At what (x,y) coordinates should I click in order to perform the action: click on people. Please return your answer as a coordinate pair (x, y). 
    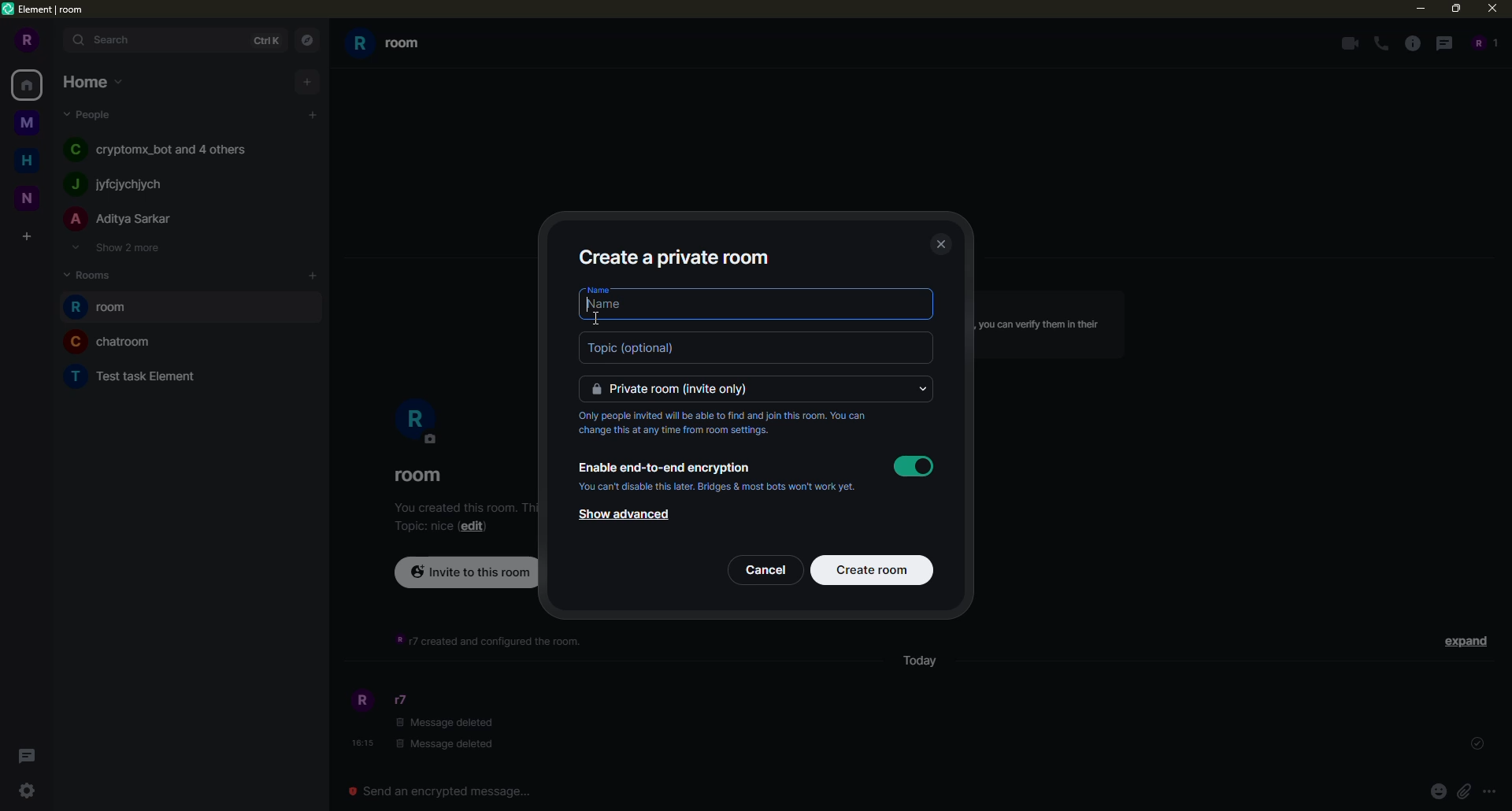
    Looking at the image, I should click on (1484, 41).